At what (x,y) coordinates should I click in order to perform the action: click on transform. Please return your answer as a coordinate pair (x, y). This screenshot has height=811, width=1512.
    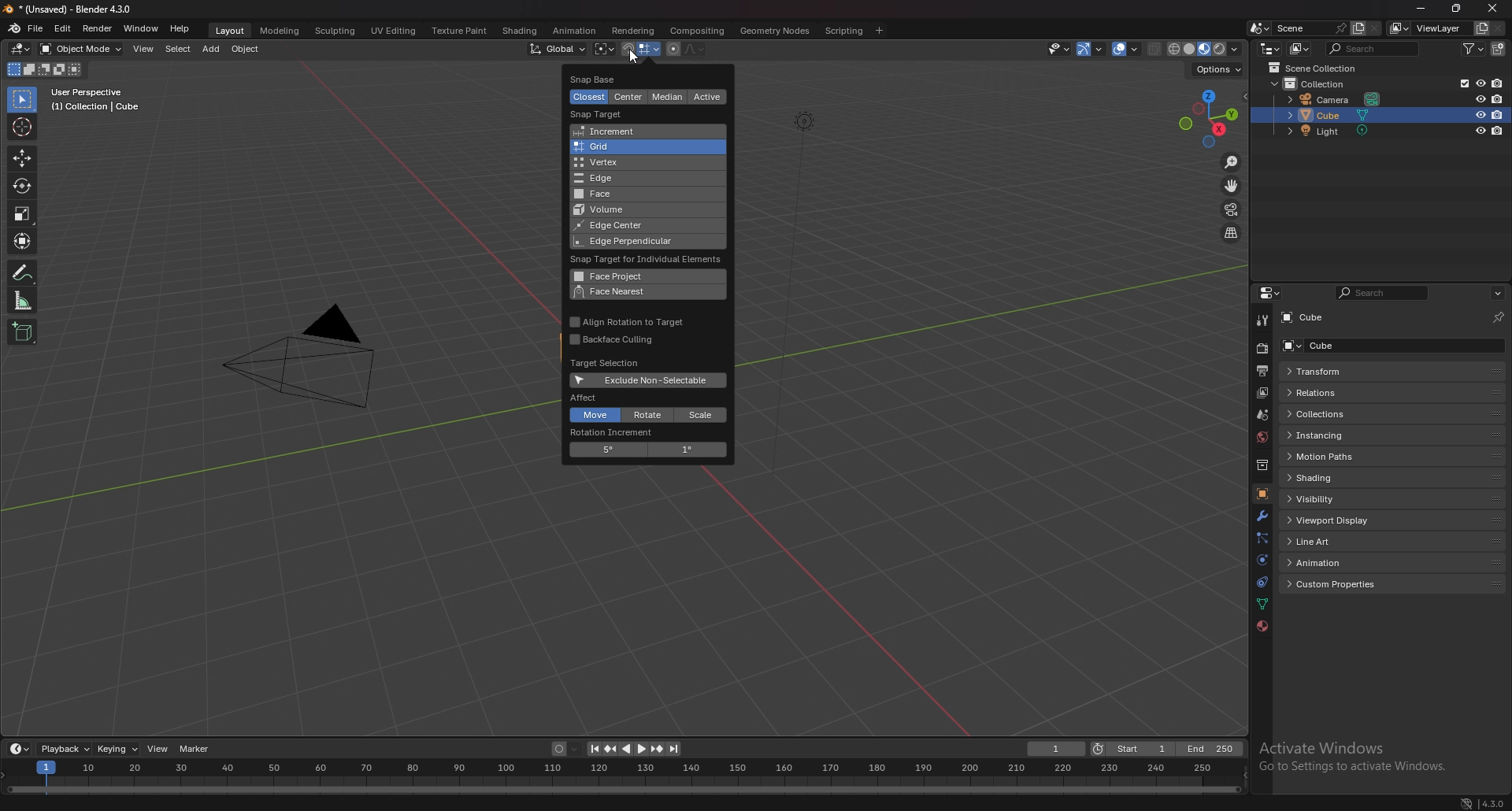
    Looking at the image, I should click on (1334, 372).